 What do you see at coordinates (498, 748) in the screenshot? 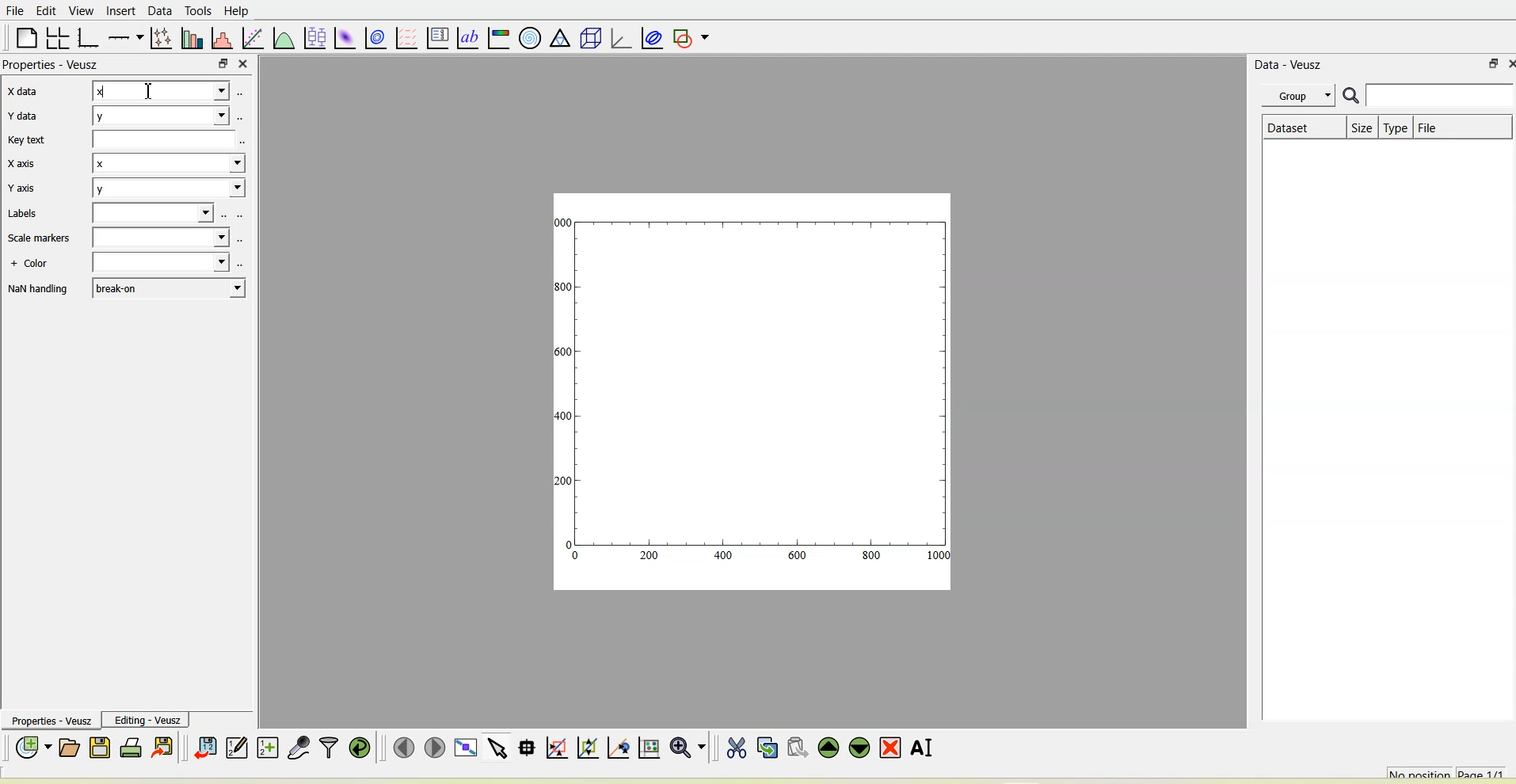
I see `Select items from the graph or scroll` at bounding box center [498, 748].